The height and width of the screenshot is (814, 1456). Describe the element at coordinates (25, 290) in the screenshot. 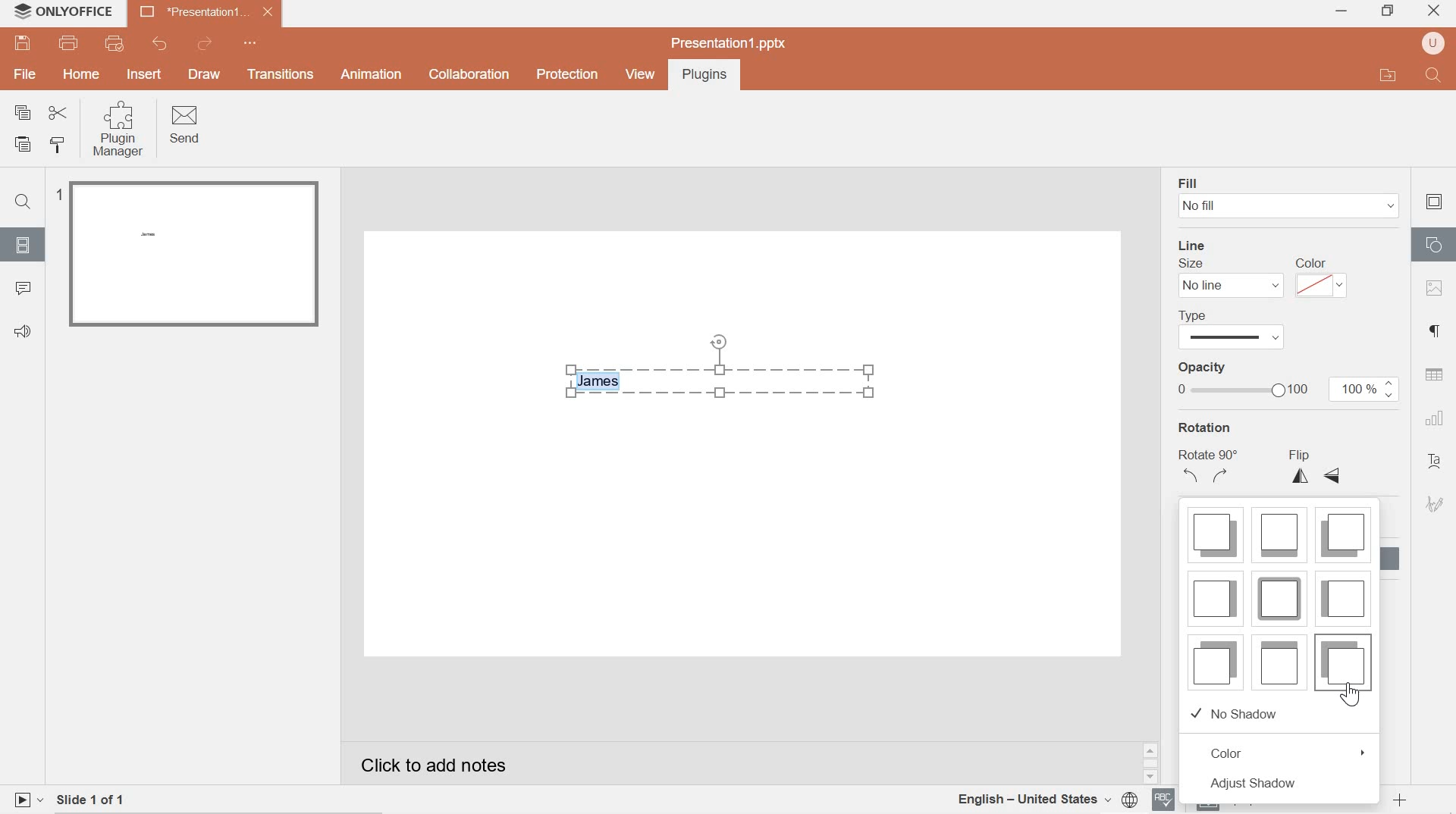

I see `comments` at that location.